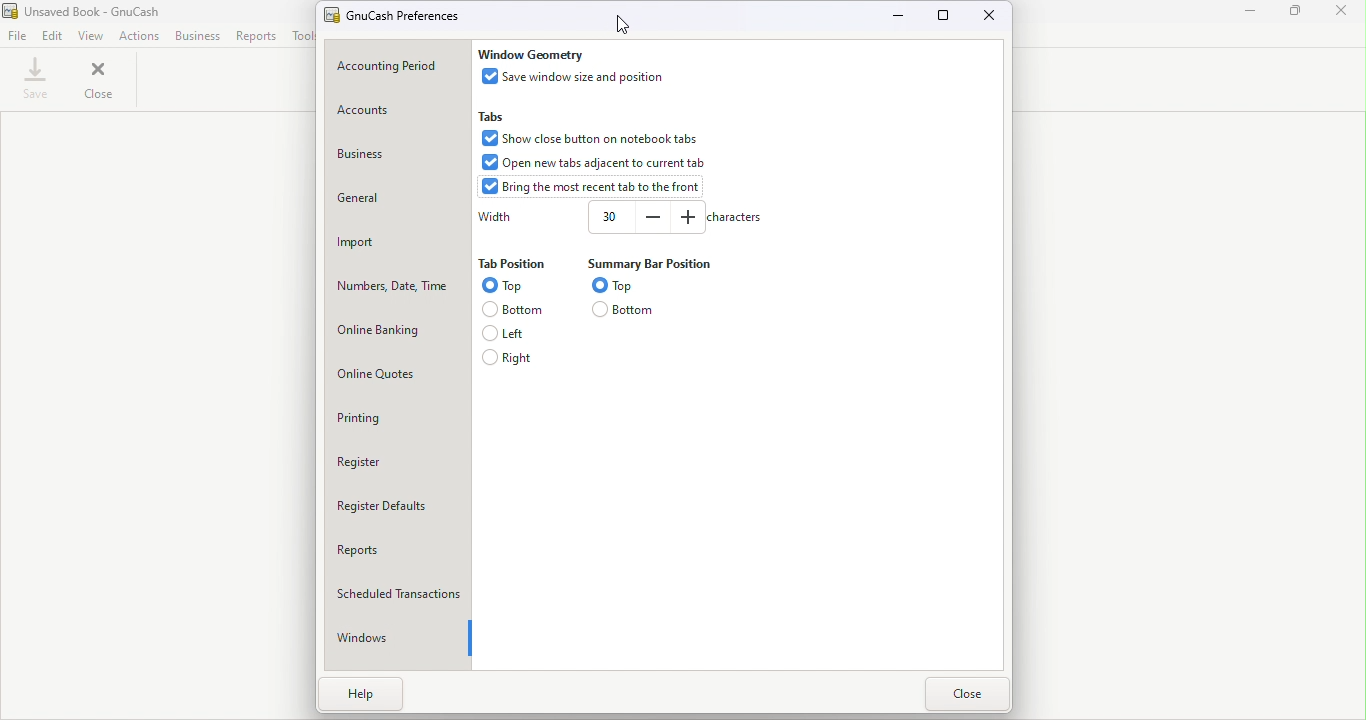 The width and height of the screenshot is (1366, 720). Describe the element at coordinates (397, 283) in the screenshot. I see `Numbers, Date, Time` at that location.